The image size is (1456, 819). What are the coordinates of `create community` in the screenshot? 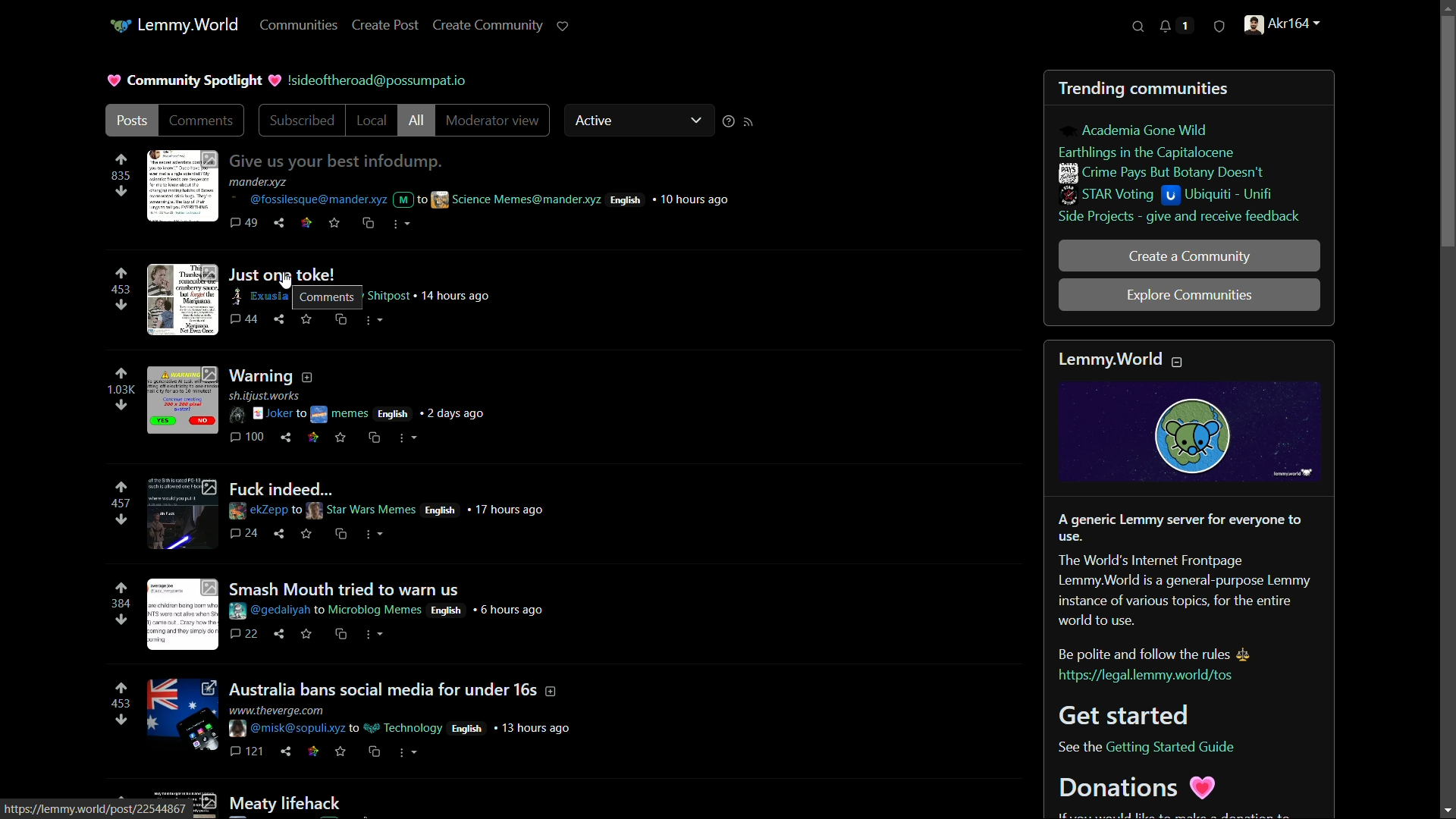 It's located at (488, 27).